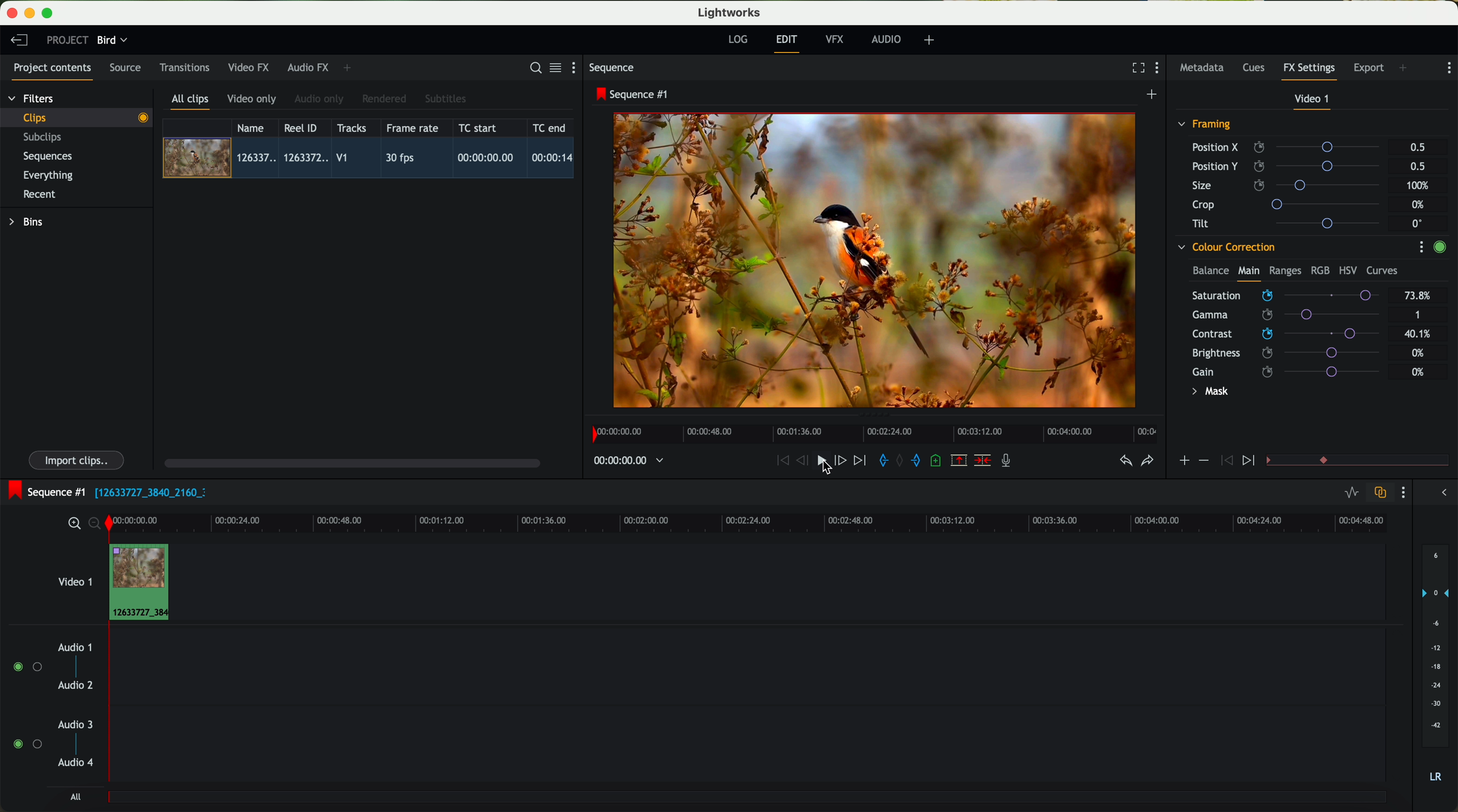 This screenshot has width=1458, height=812. What do you see at coordinates (385, 100) in the screenshot?
I see `rendered` at bounding box center [385, 100].